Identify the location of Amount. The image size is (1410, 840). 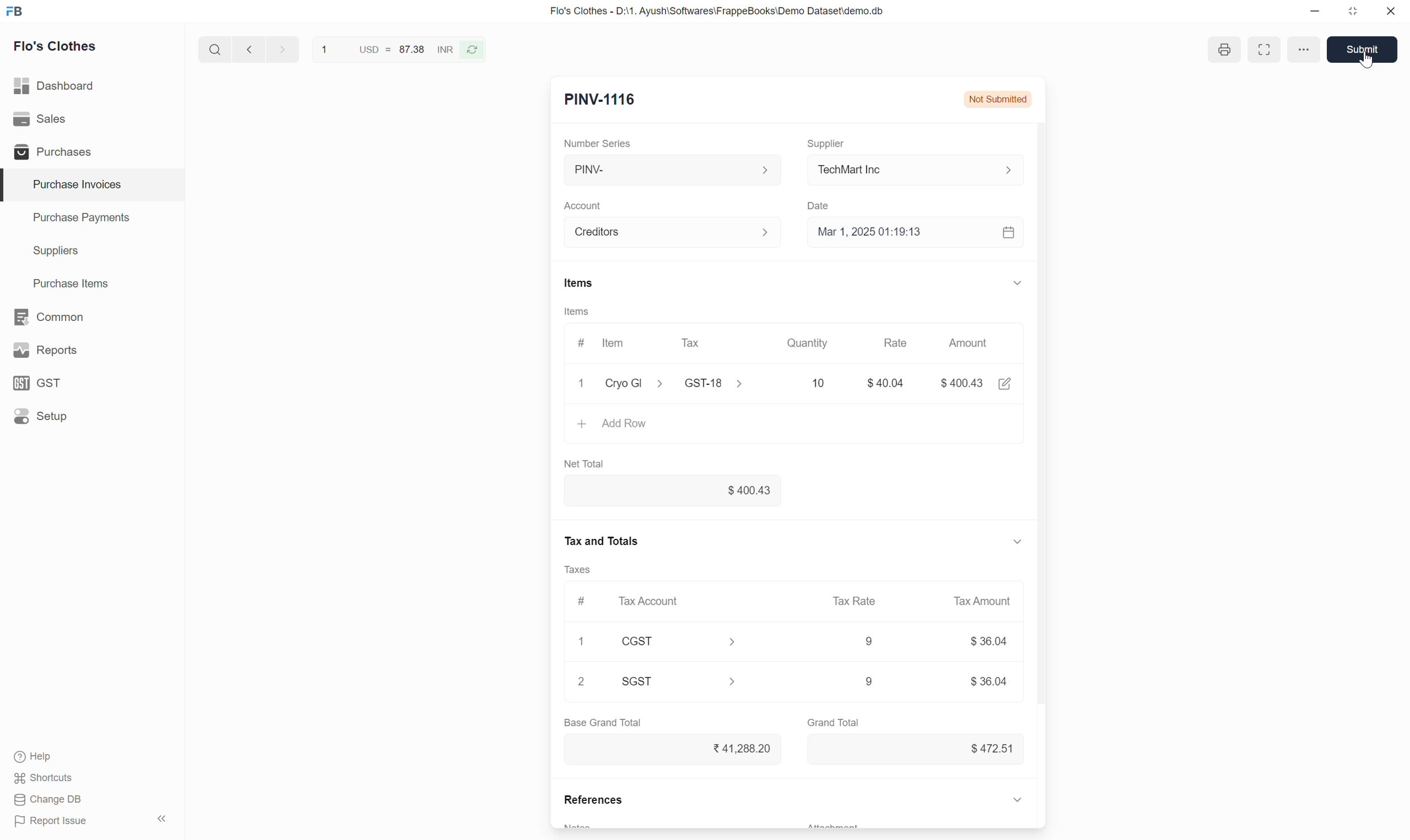
(973, 345).